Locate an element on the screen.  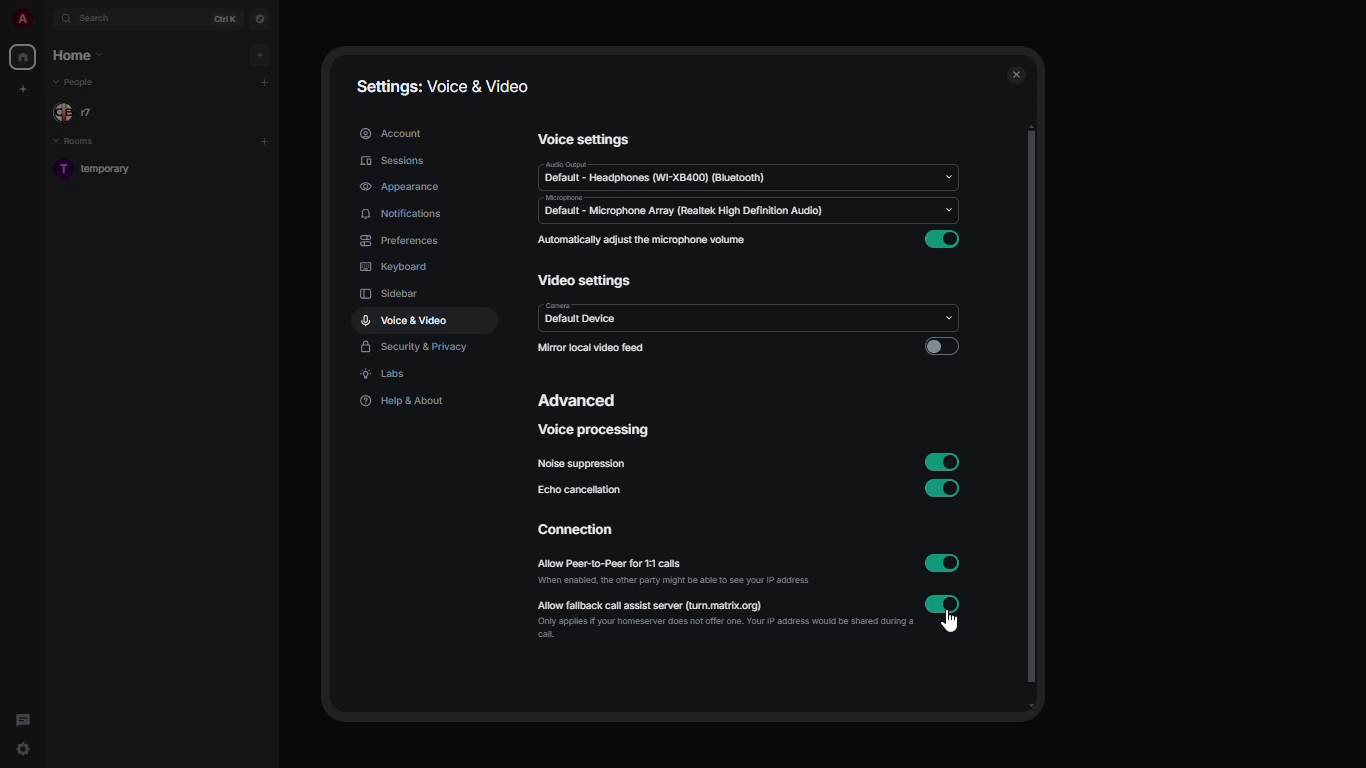
add is located at coordinates (258, 54).